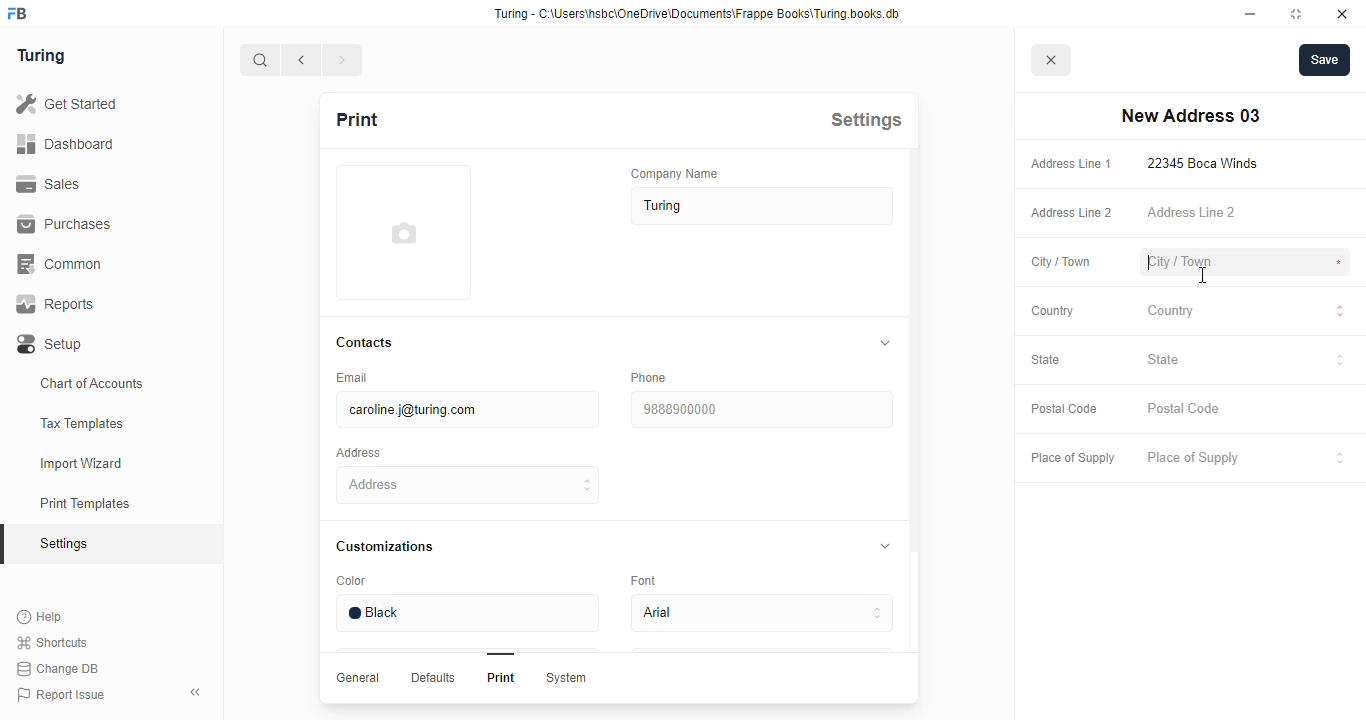 Image resolution: width=1366 pixels, height=720 pixels. What do you see at coordinates (52, 184) in the screenshot?
I see `sales` at bounding box center [52, 184].